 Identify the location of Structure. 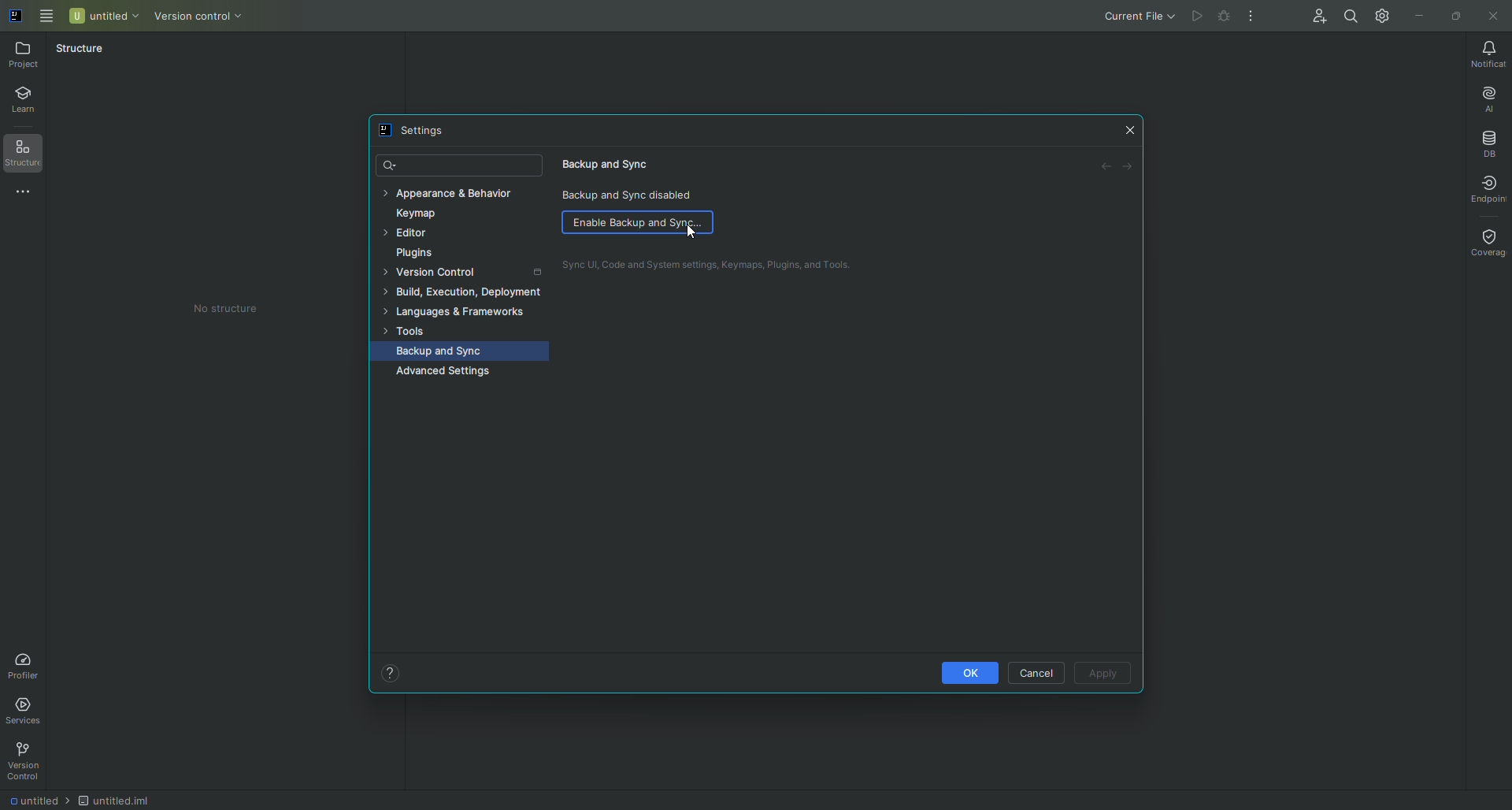
(29, 155).